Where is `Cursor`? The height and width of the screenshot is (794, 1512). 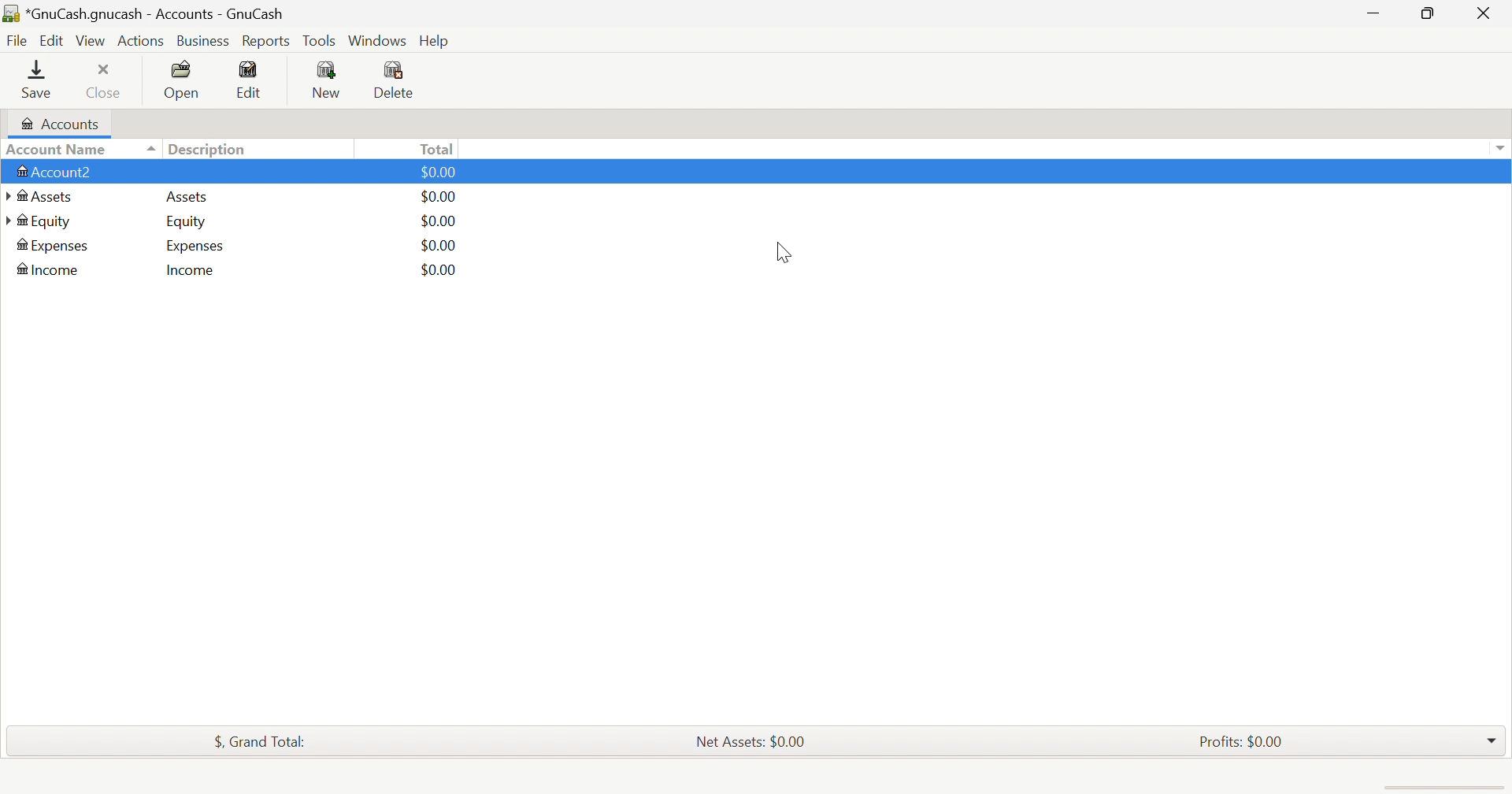 Cursor is located at coordinates (785, 254).